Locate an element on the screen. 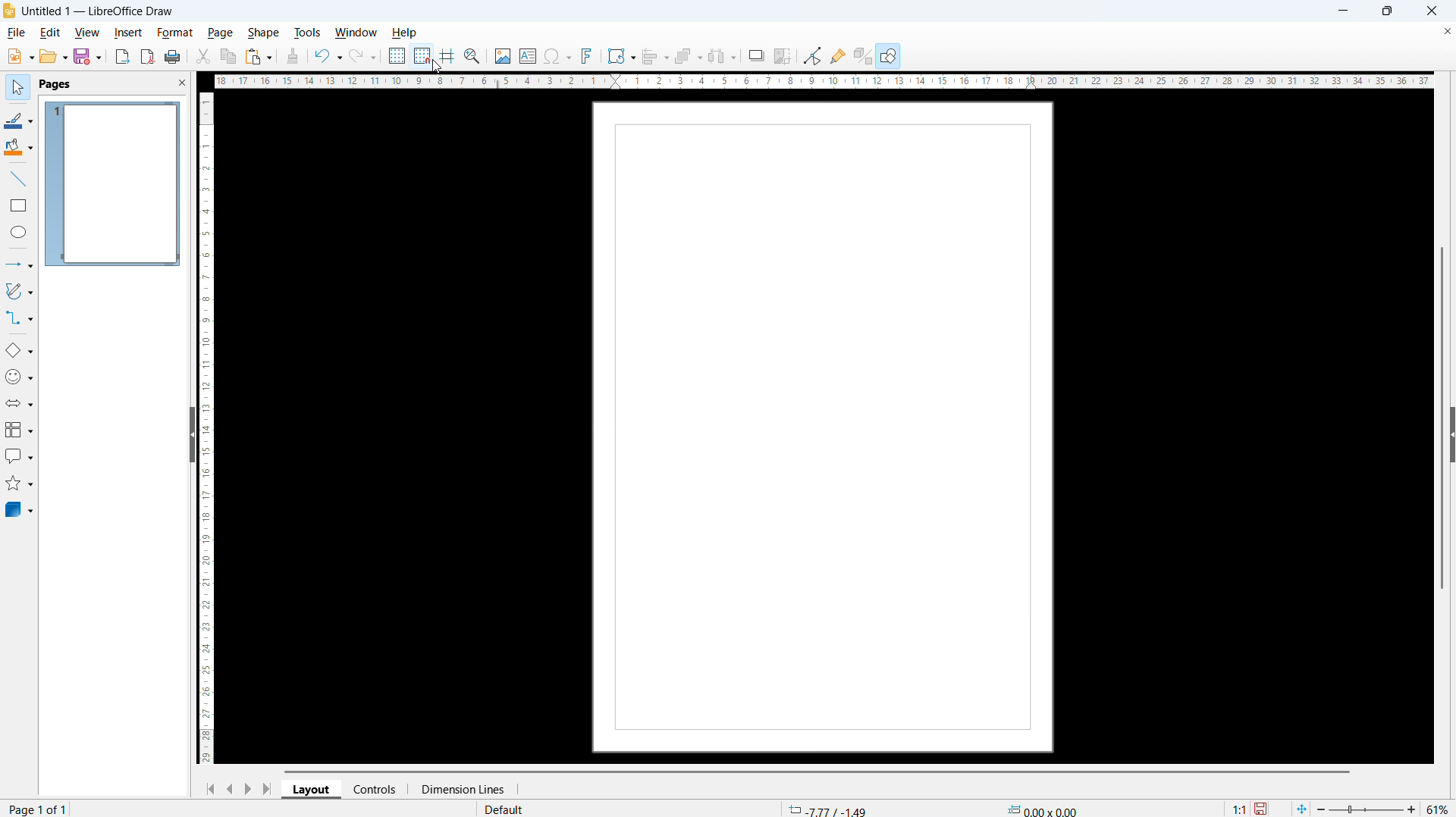  Window  is located at coordinates (356, 33).